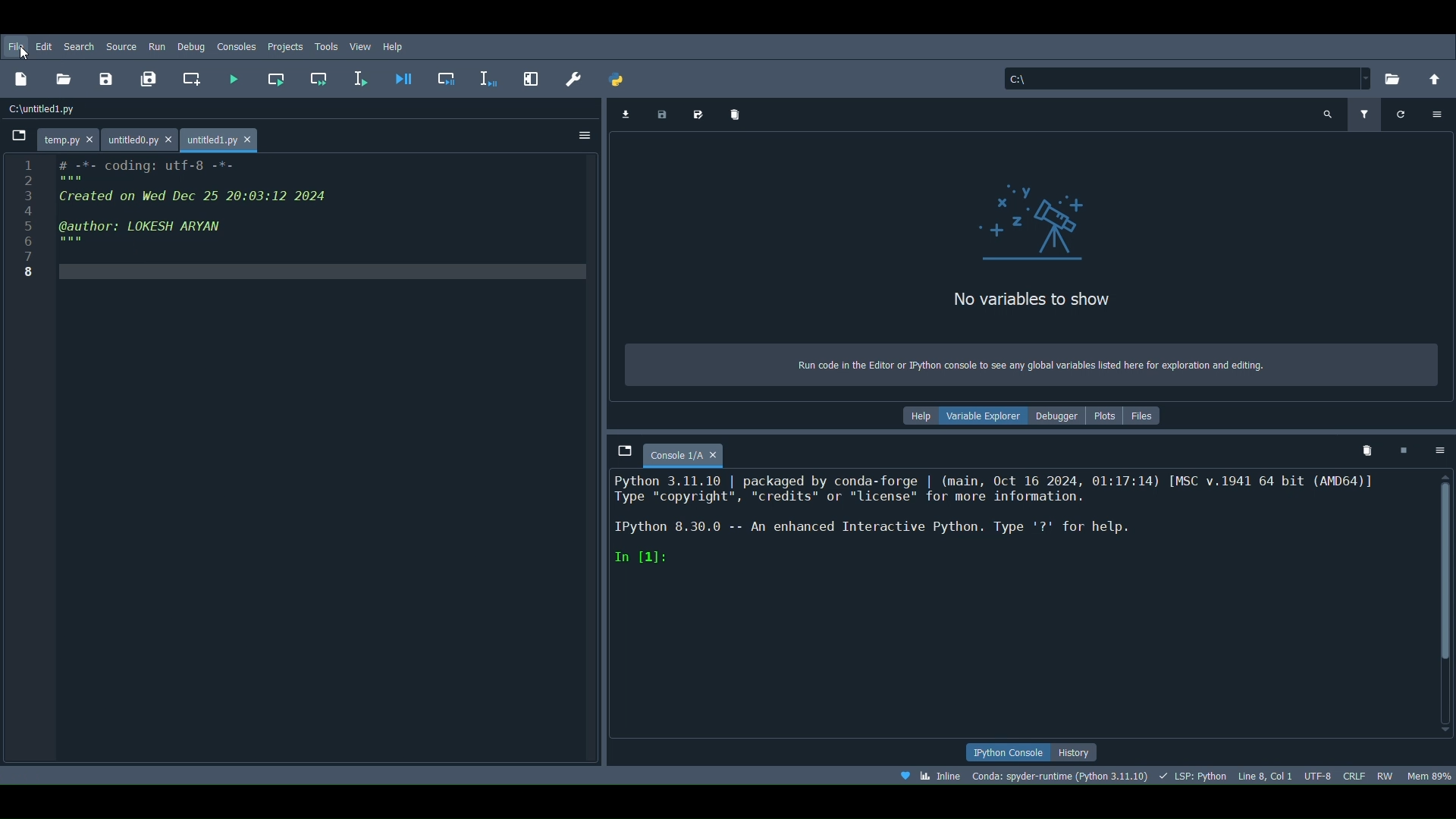  Describe the element at coordinates (1403, 447) in the screenshot. I see `Interrupt kernel` at that location.